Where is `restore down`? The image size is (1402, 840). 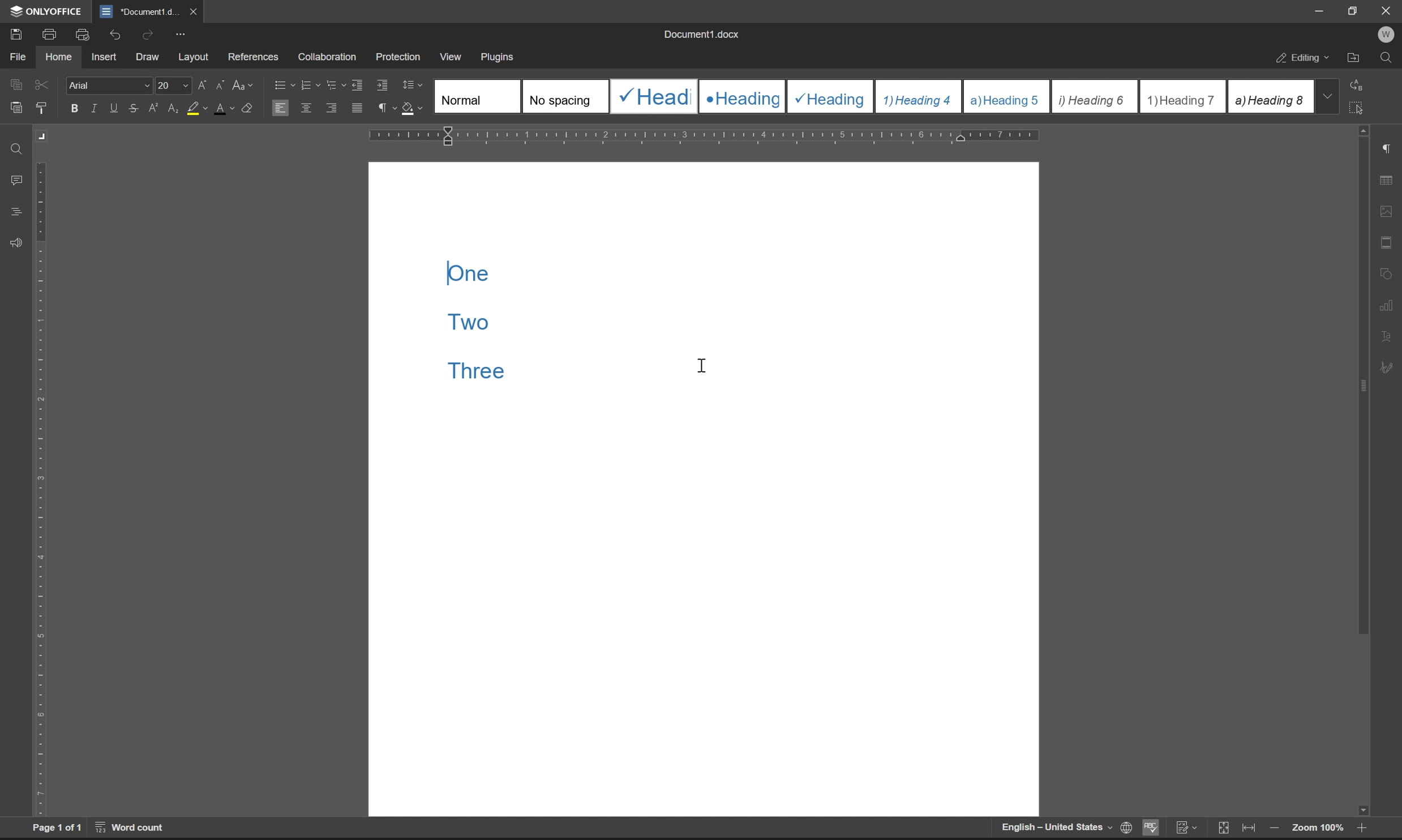 restore down is located at coordinates (1356, 10).